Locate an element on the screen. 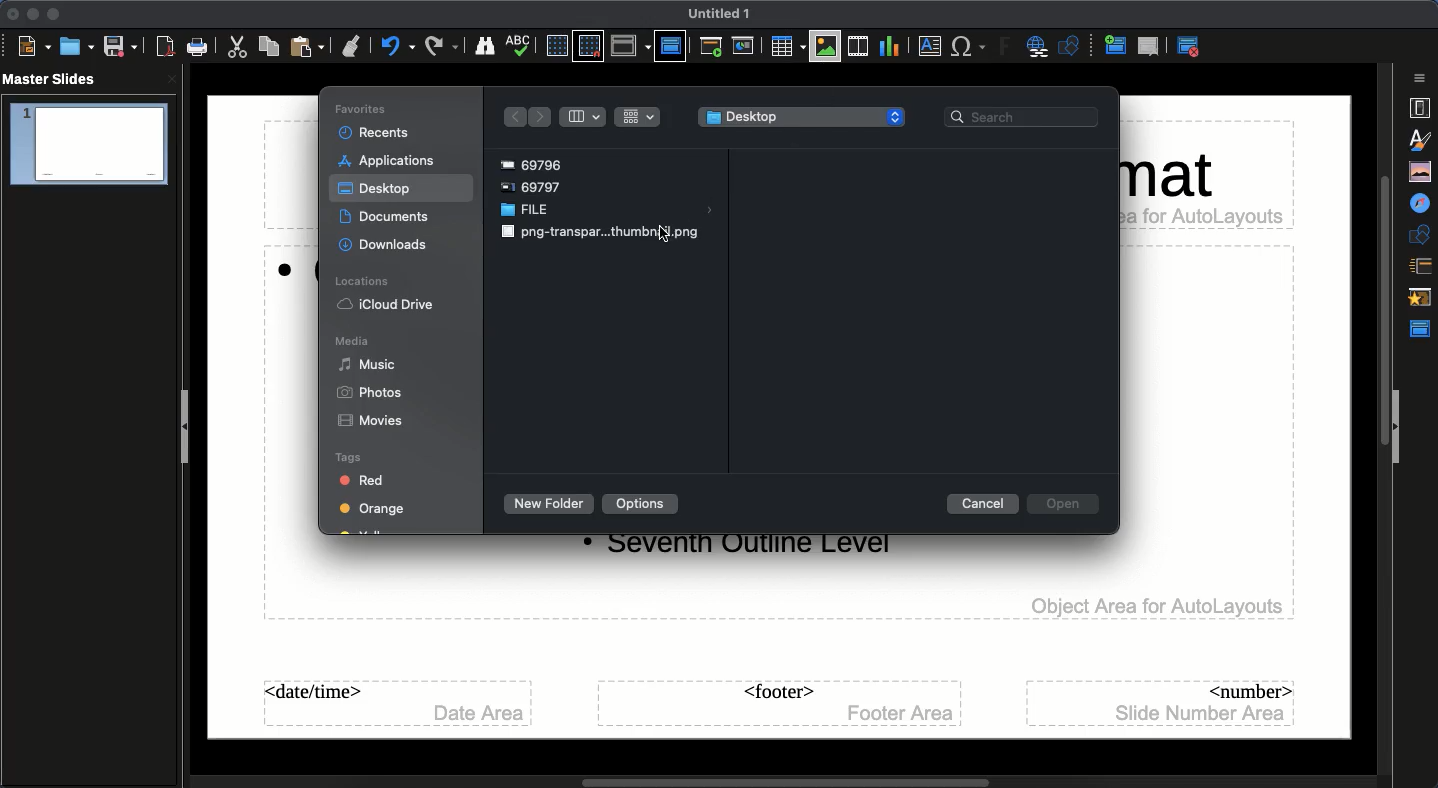 The height and width of the screenshot is (788, 1438). 69797 is located at coordinates (540, 186).